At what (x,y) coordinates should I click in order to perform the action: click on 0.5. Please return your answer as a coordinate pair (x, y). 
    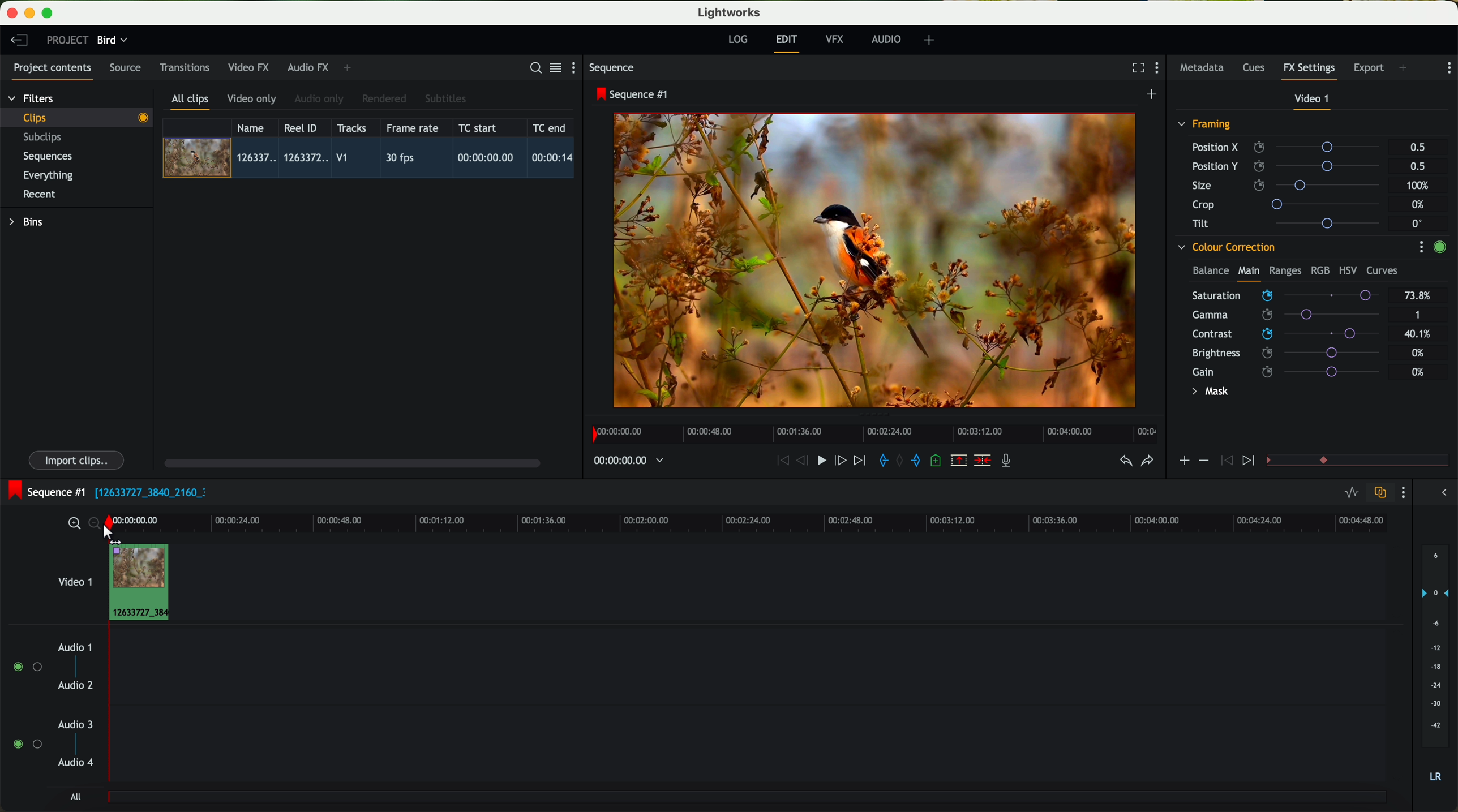
    Looking at the image, I should click on (1418, 148).